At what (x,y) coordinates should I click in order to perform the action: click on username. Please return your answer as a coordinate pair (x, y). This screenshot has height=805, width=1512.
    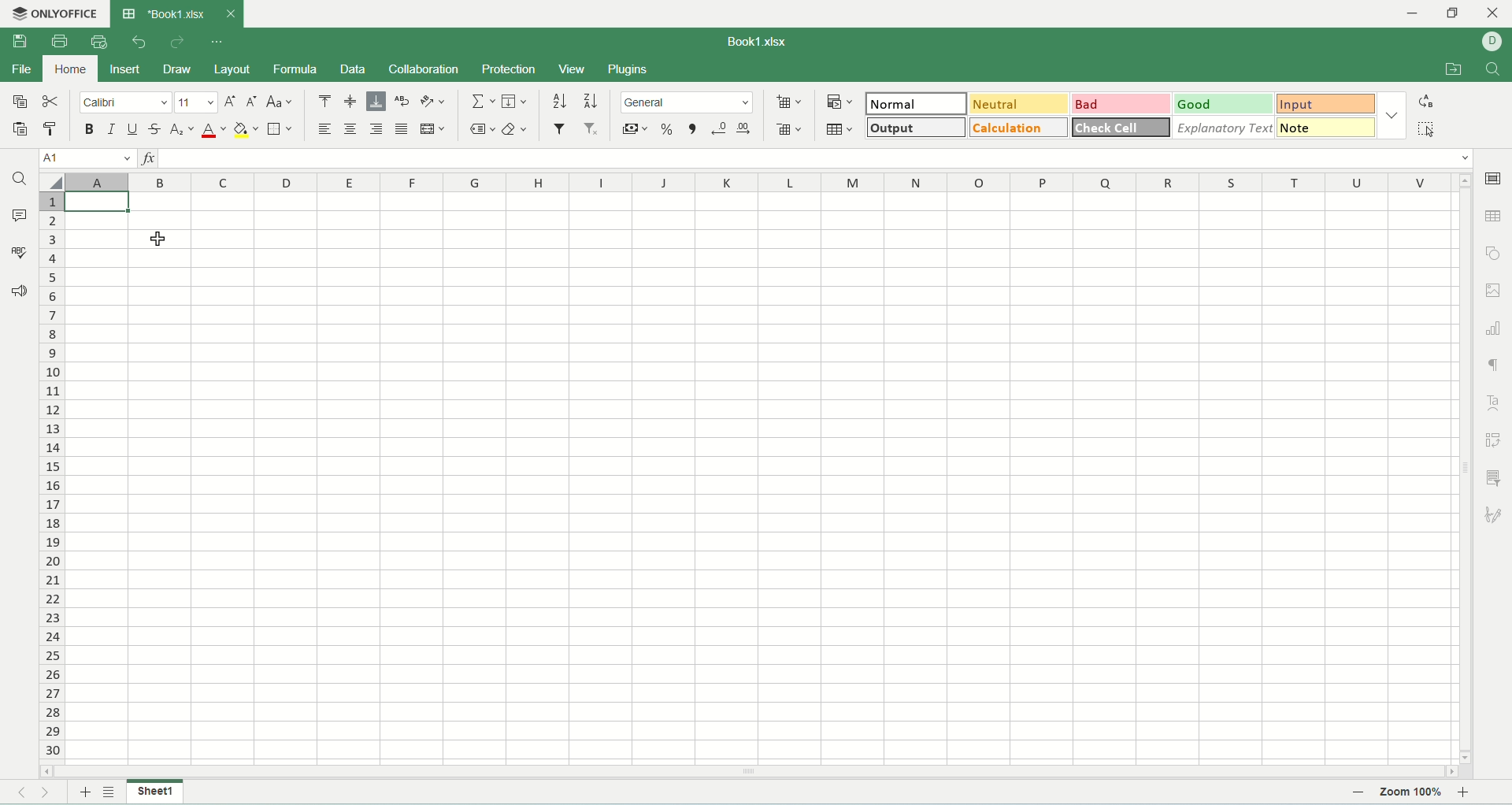
    Looking at the image, I should click on (1497, 41).